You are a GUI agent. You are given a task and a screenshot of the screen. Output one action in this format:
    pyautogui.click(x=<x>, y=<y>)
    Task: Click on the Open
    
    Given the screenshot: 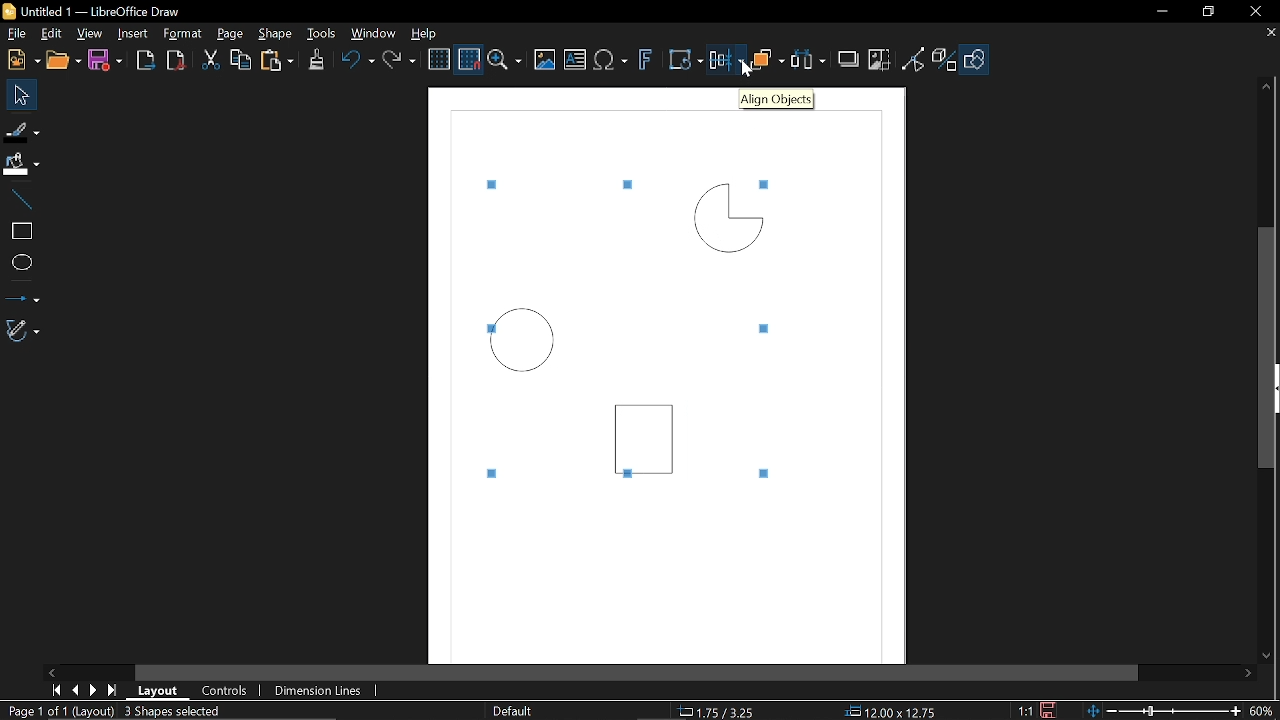 What is the action you would take?
    pyautogui.click(x=62, y=61)
    